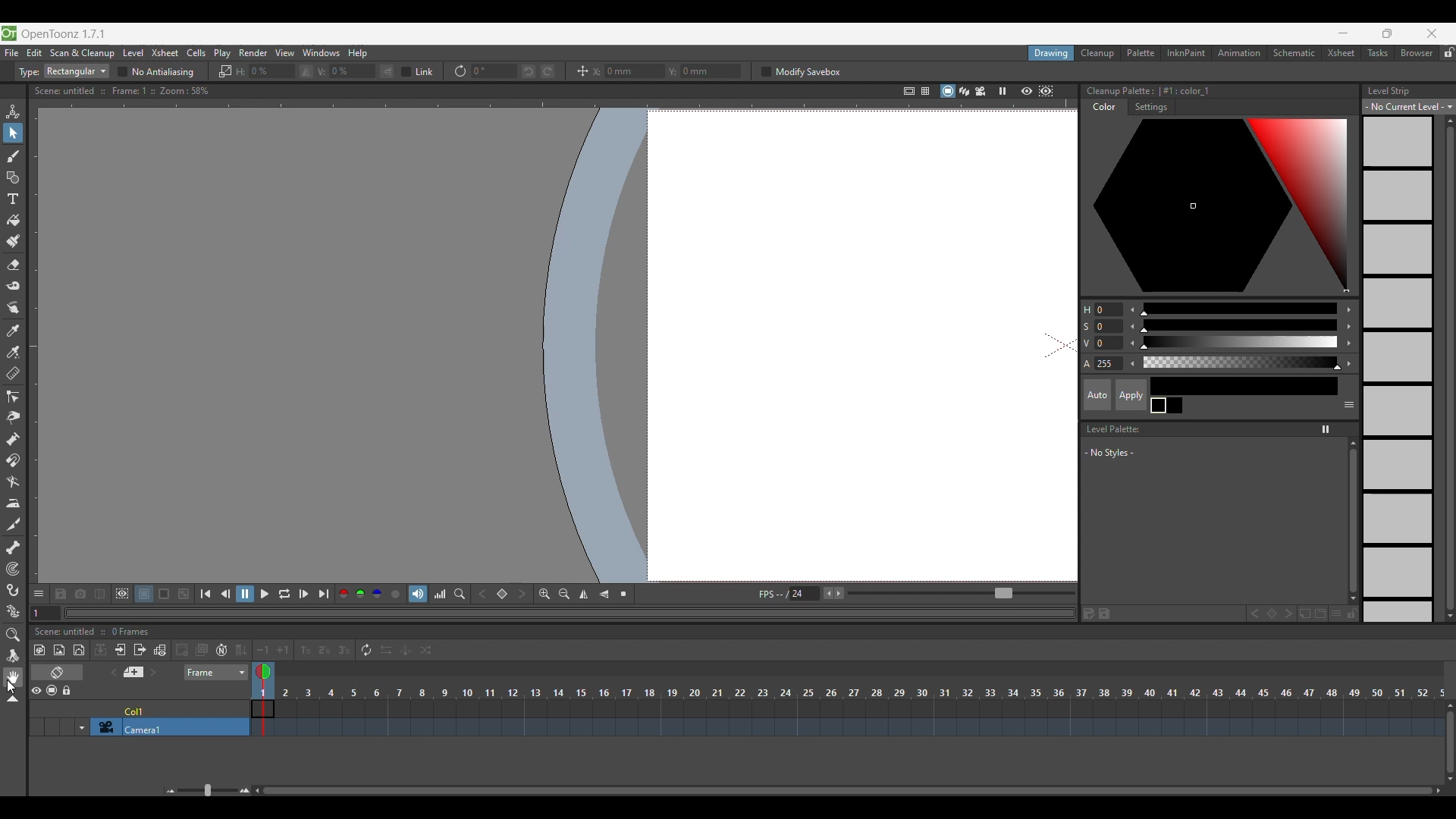  Describe the element at coordinates (140, 650) in the screenshot. I see `Close sub Xsheet` at that location.